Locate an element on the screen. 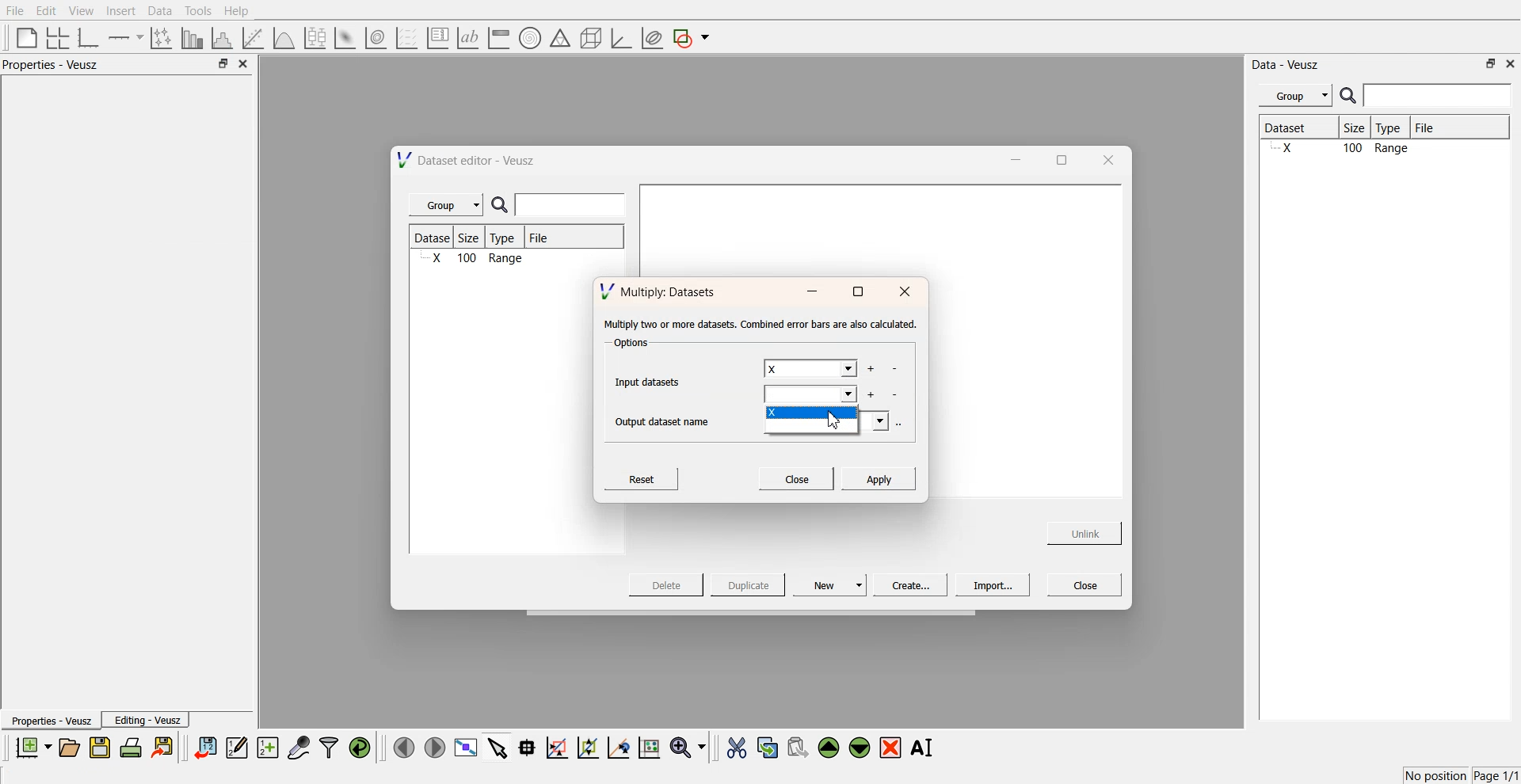  search icon is located at coordinates (503, 206).